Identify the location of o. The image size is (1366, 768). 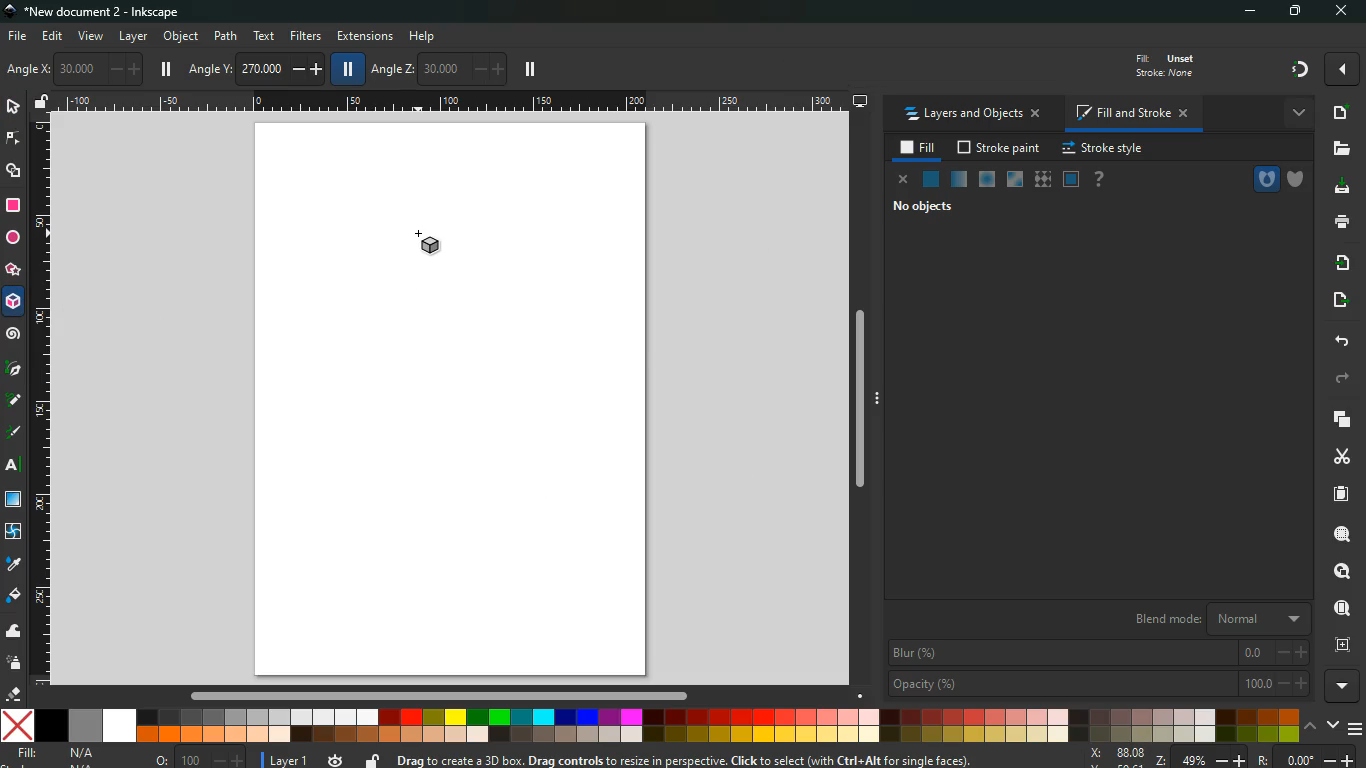
(196, 758).